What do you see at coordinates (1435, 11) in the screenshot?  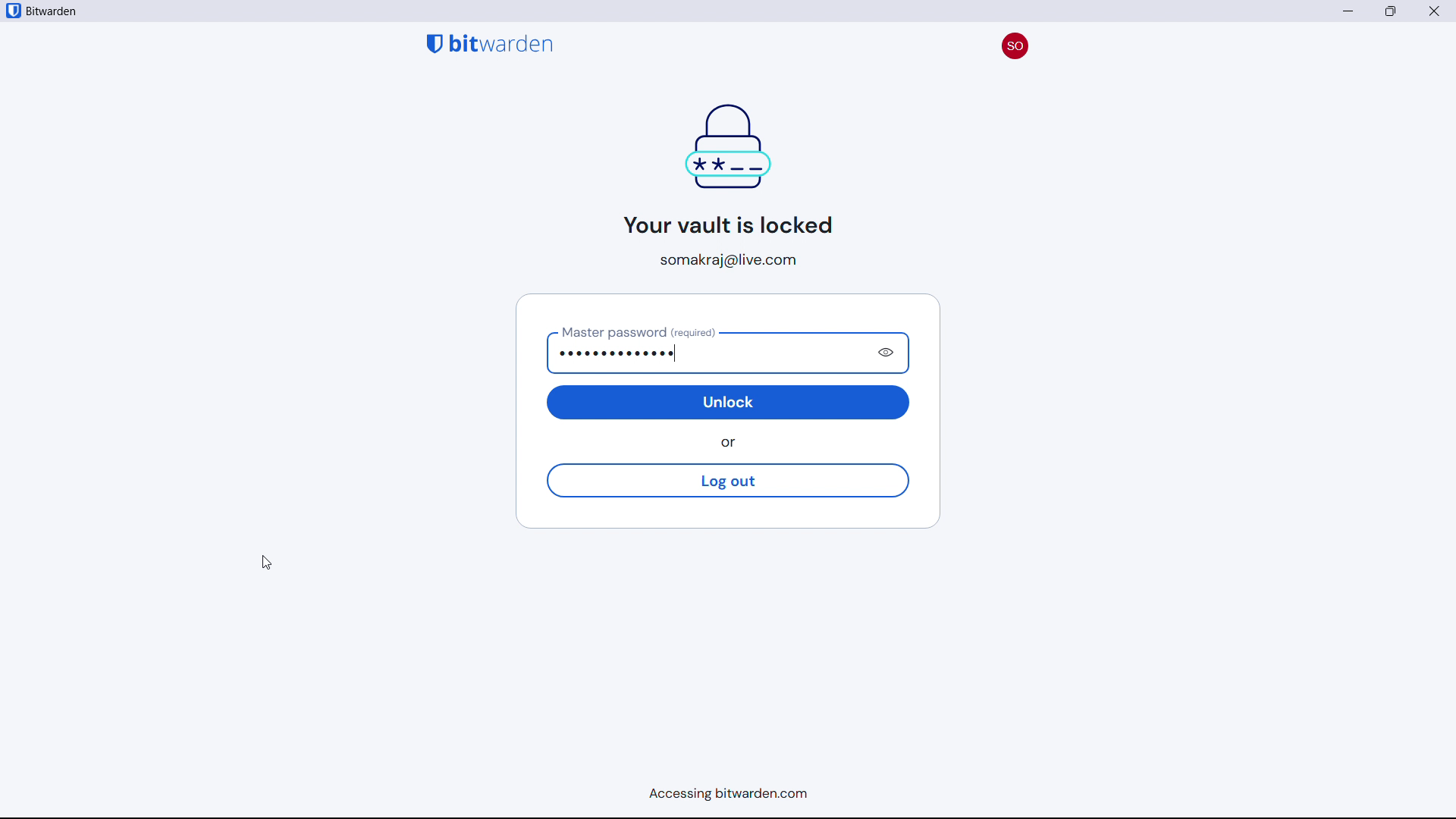 I see `close` at bounding box center [1435, 11].